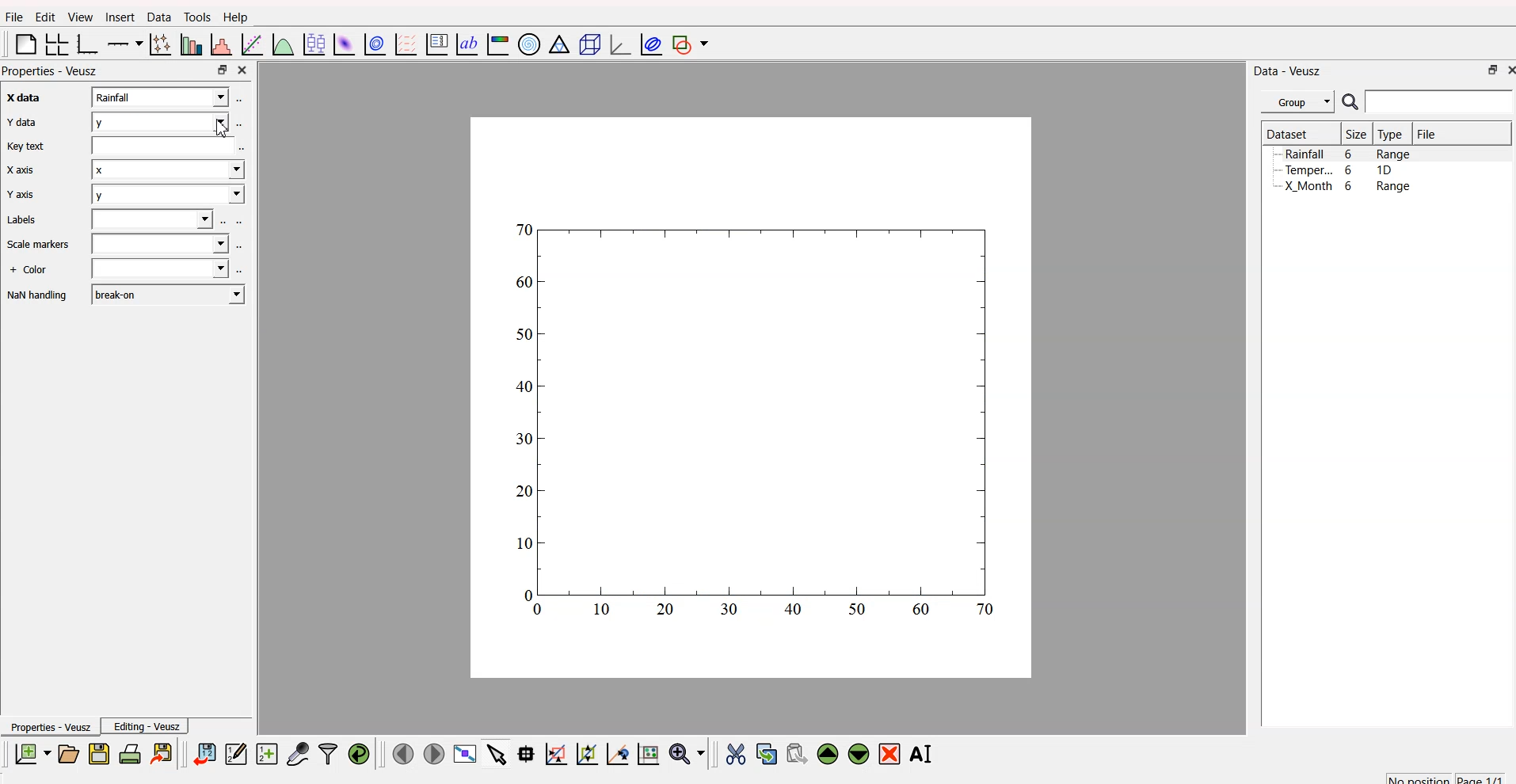 The image size is (1516, 784). What do you see at coordinates (752, 400) in the screenshot?
I see `canvas` at bounding box center [752, 400].